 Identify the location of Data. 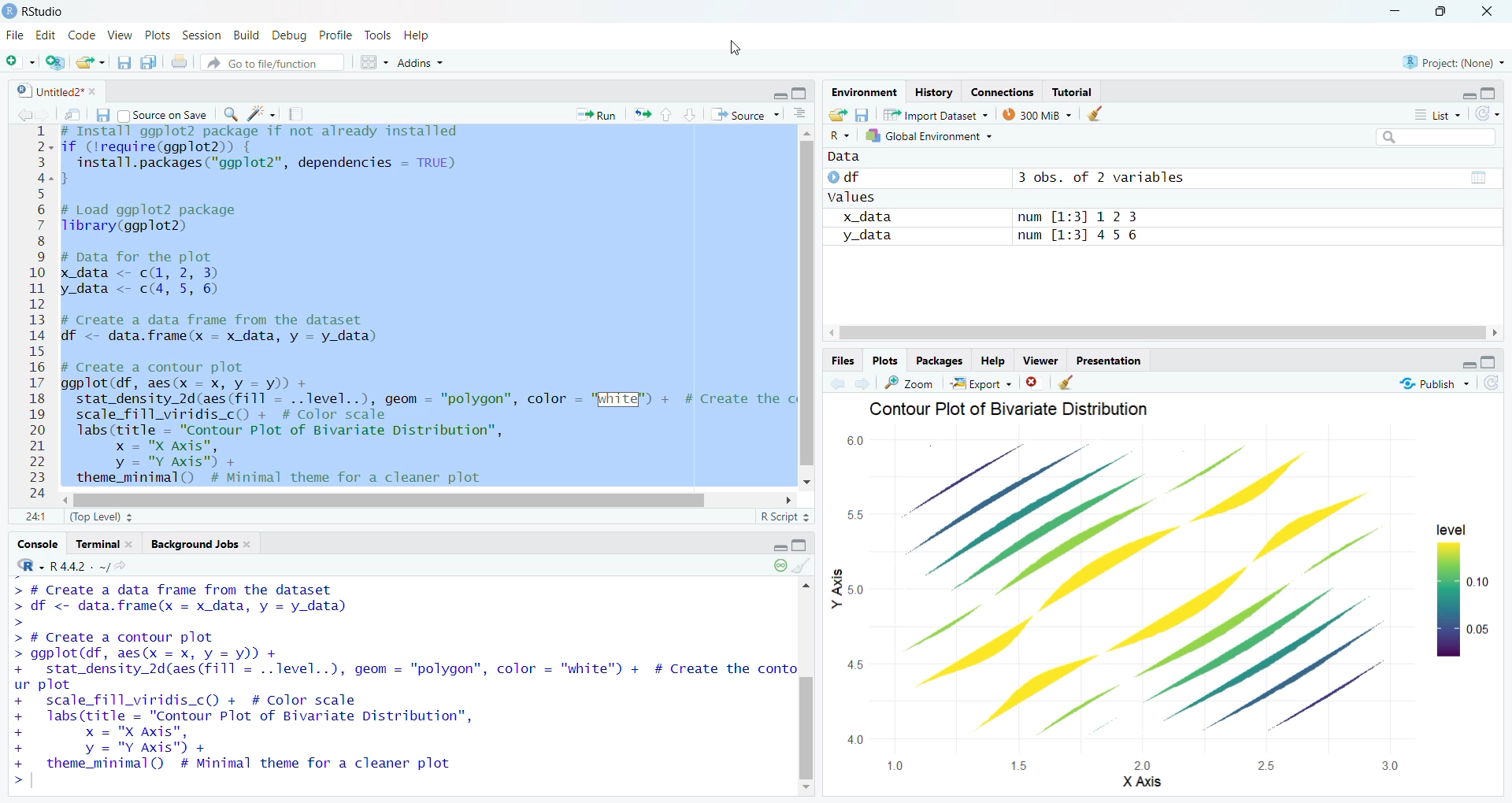
(843, 157).